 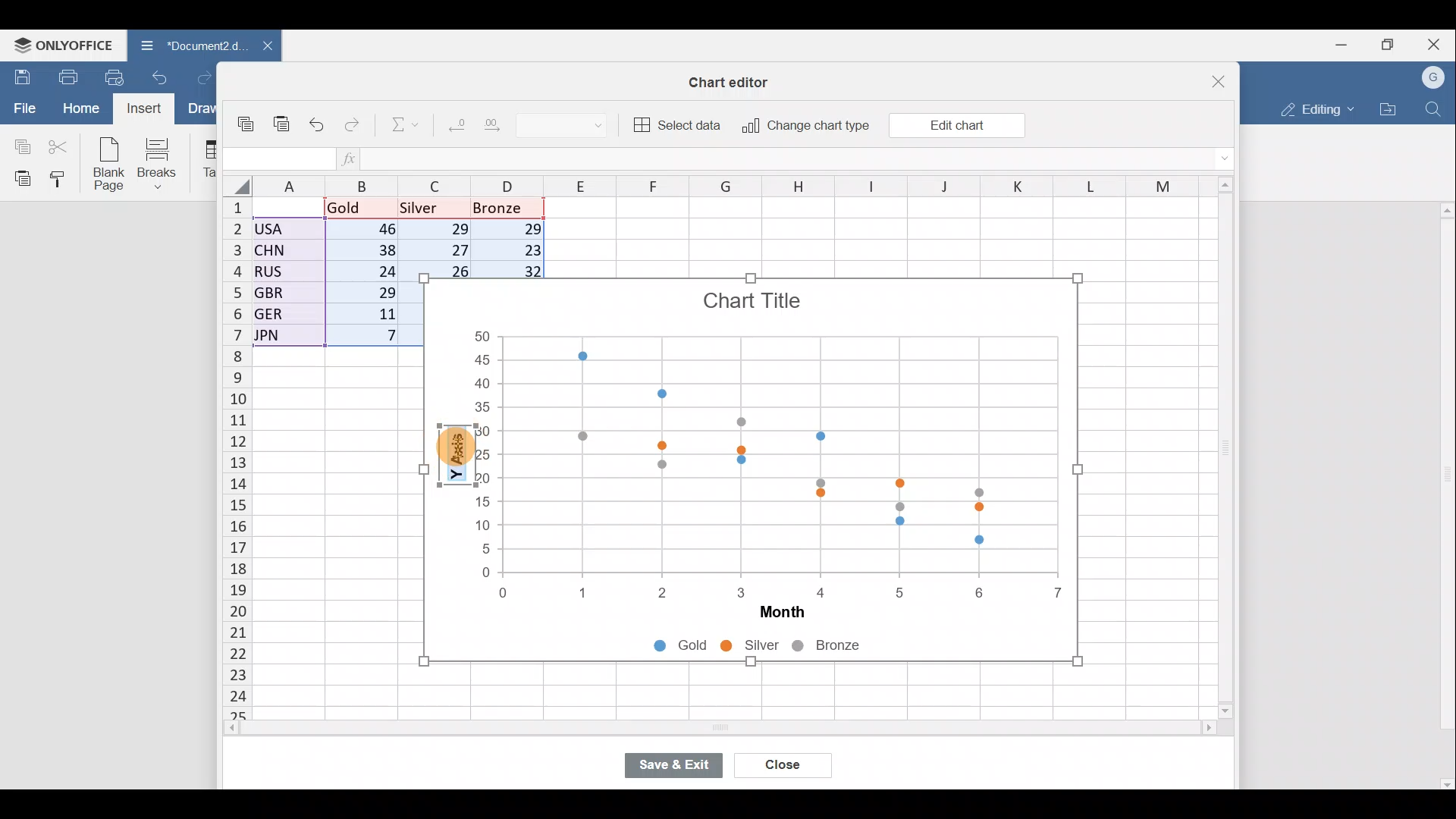 I want to click on Month, so click(x=773, y=616).